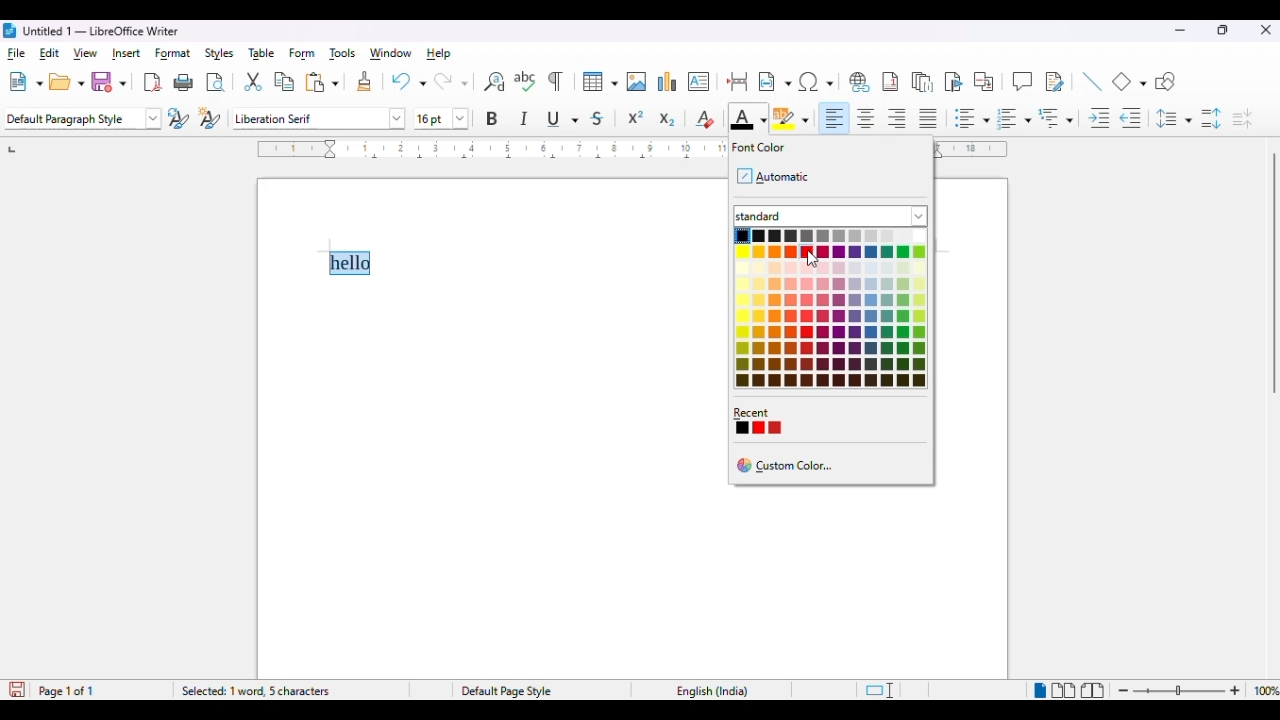  What do you see at coordinates (758, 422) in the screenshot?
I see `recent colors` at bounding box center [758, 422].